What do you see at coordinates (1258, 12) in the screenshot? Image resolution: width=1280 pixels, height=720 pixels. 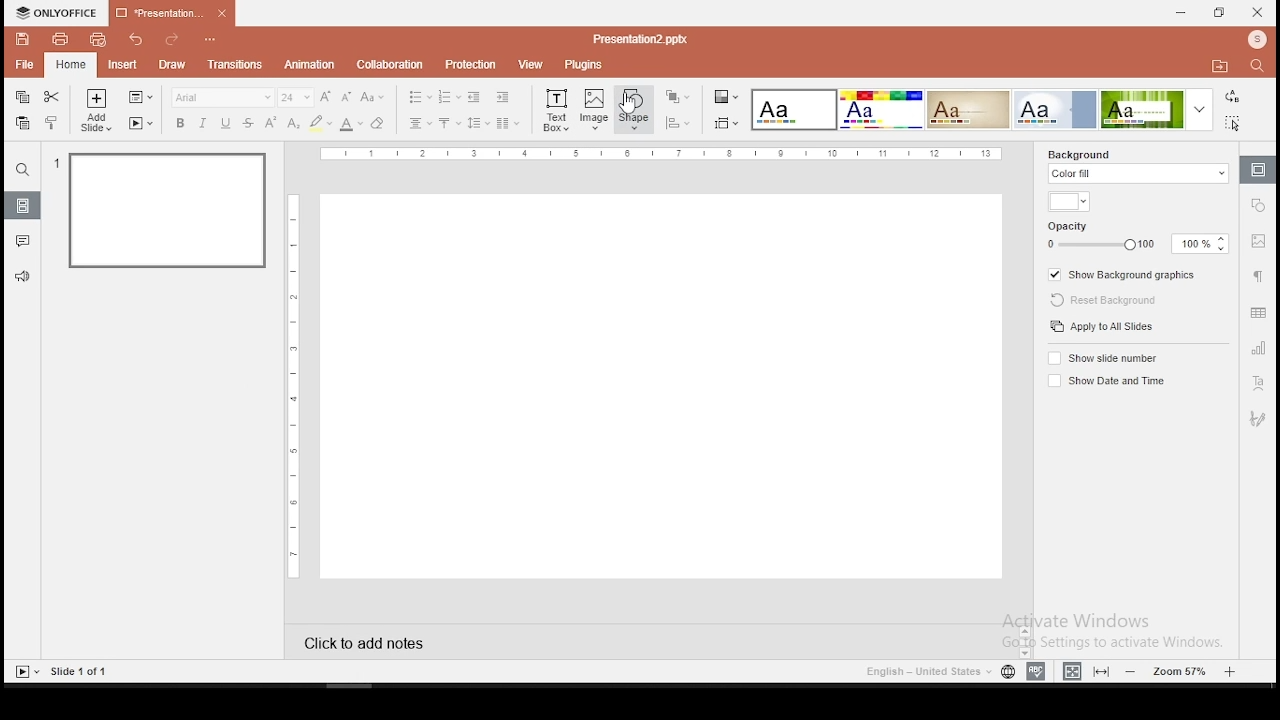 I see `close window` at bounding box center [1258, 12].